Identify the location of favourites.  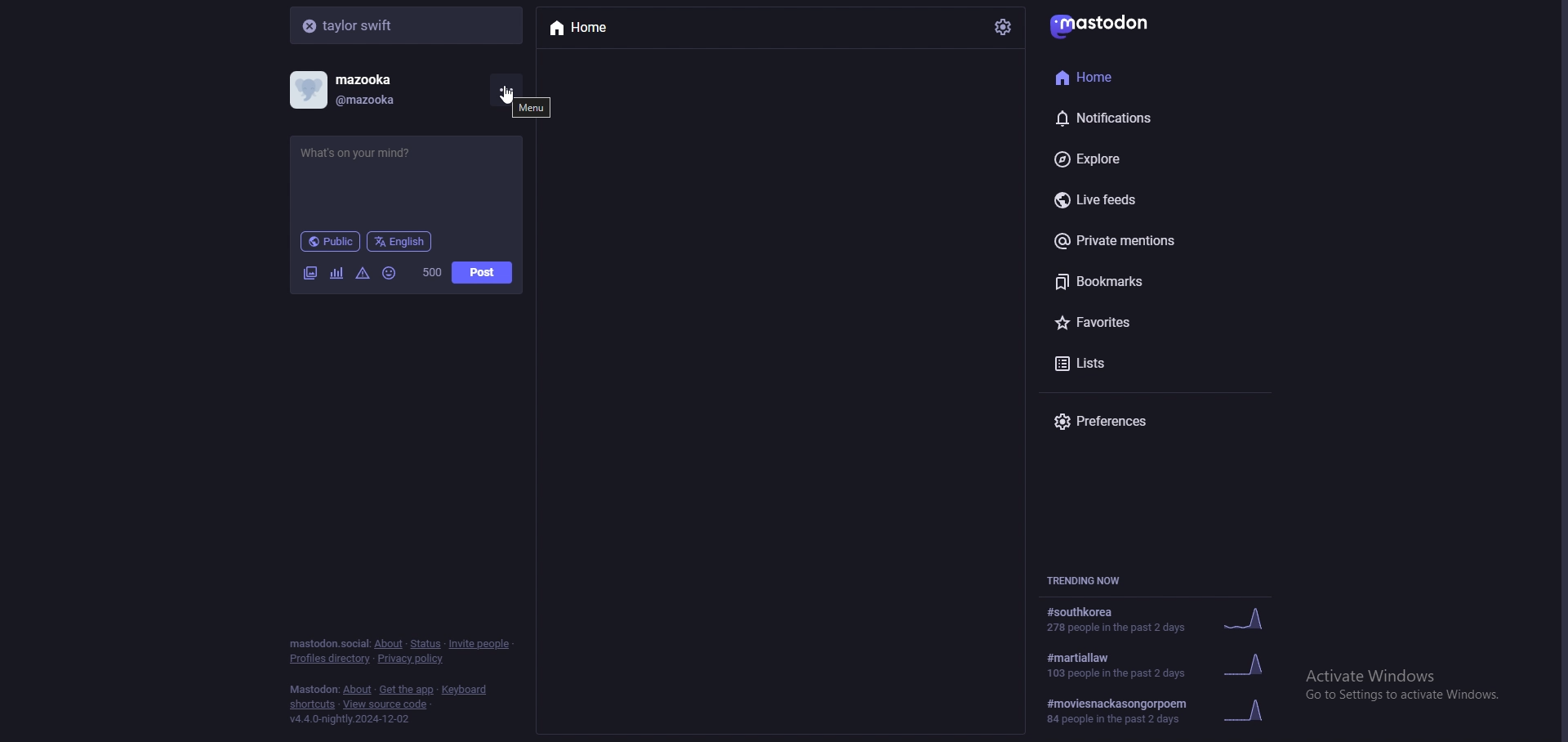
(1147, 322).